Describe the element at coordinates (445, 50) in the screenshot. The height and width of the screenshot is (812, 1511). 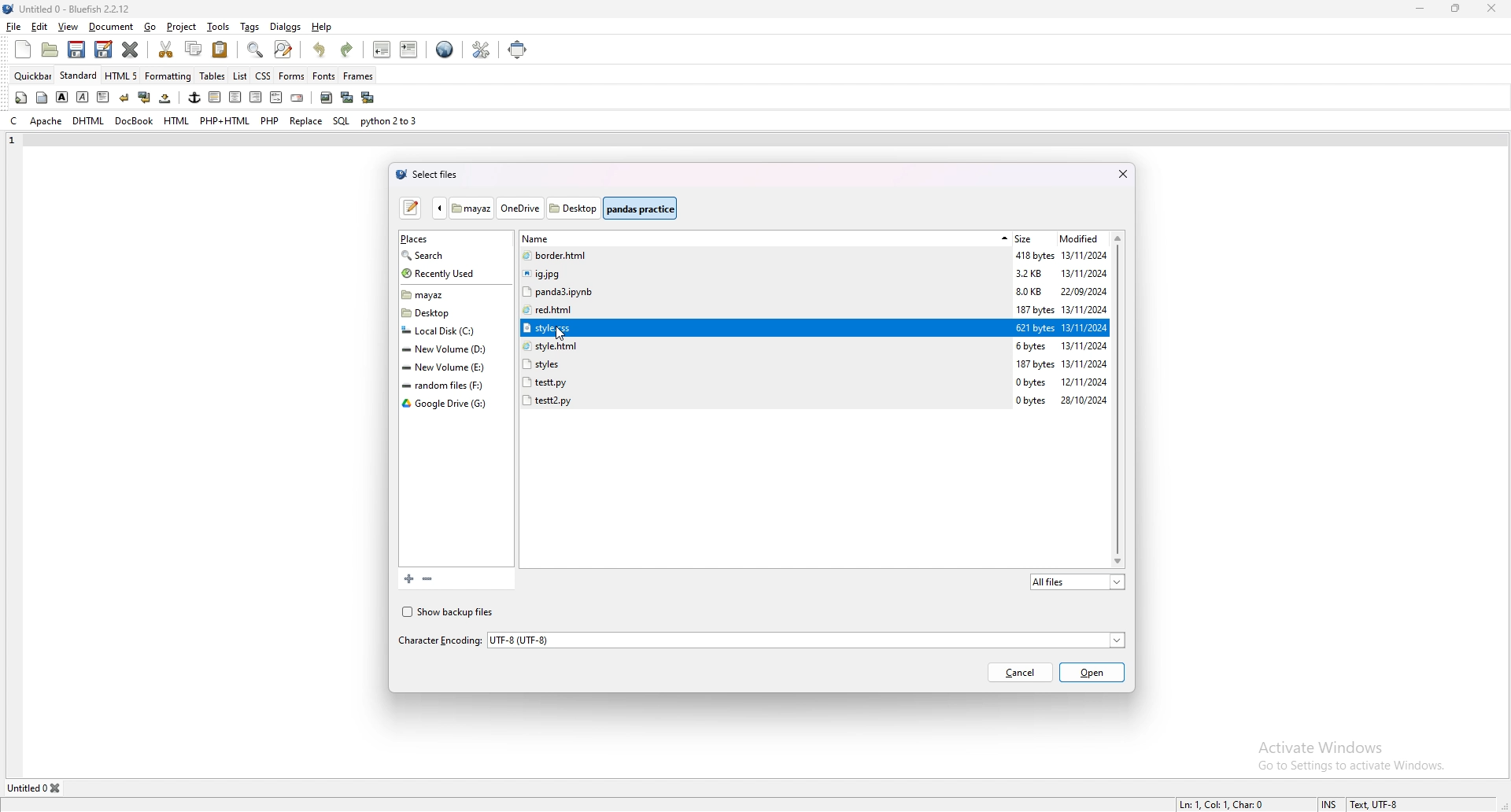
I see `edit in browser` at that location.